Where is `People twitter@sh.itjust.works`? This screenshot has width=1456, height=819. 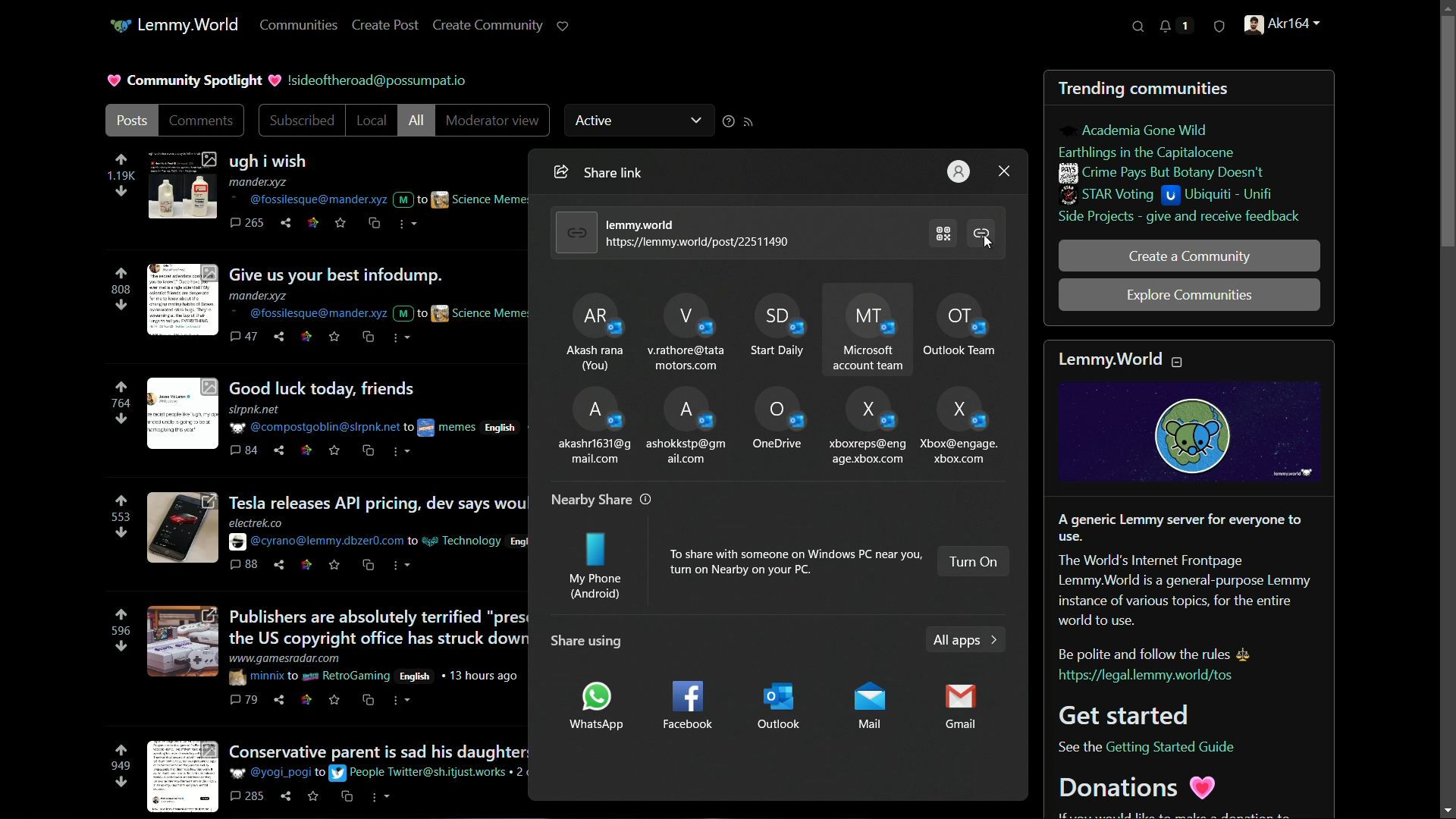
People twitter@sh.itjust.works is located at coordinates (420, 773).